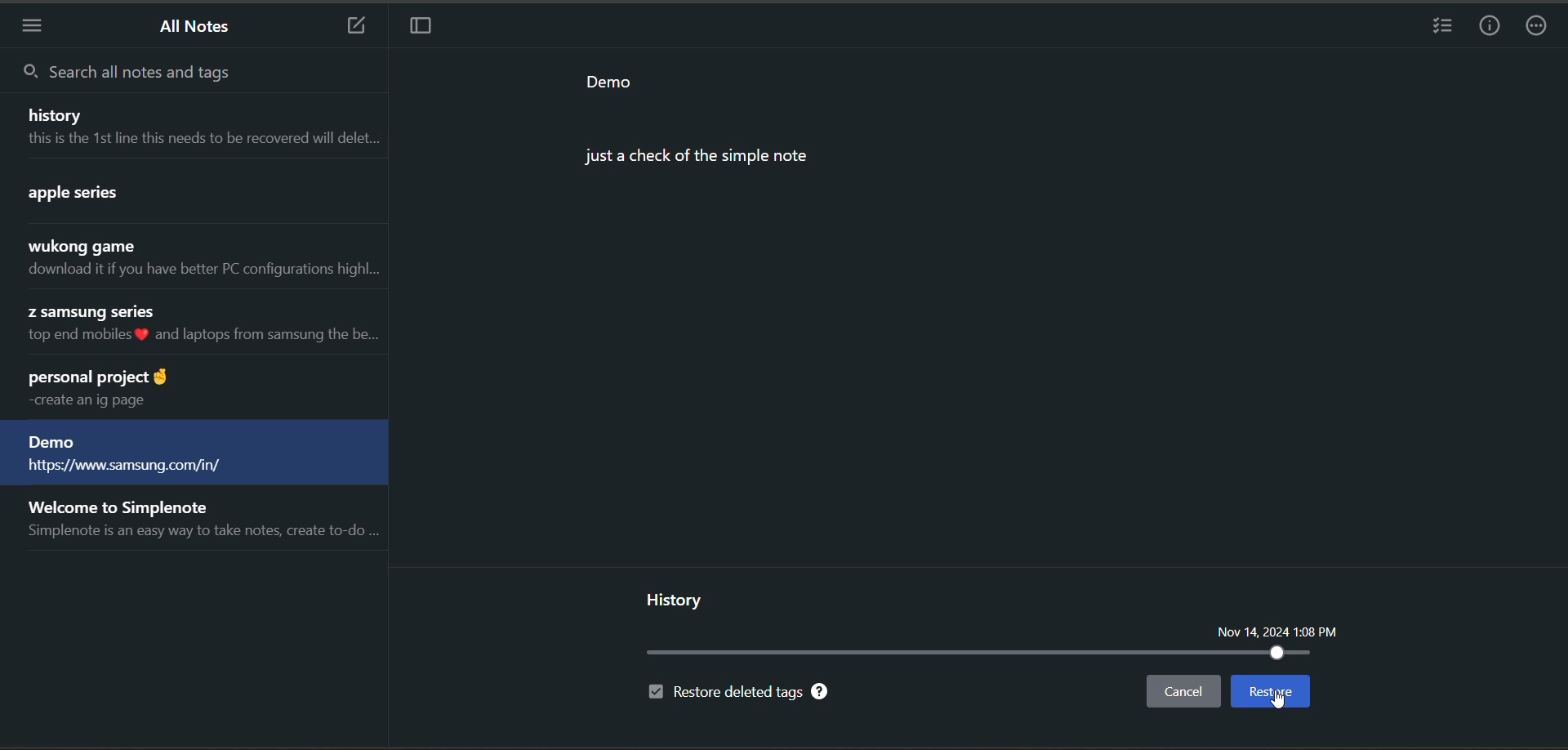 The height and width of the screenshot is (750, 1568). I want to click on note title and preview, so click(194, 454).